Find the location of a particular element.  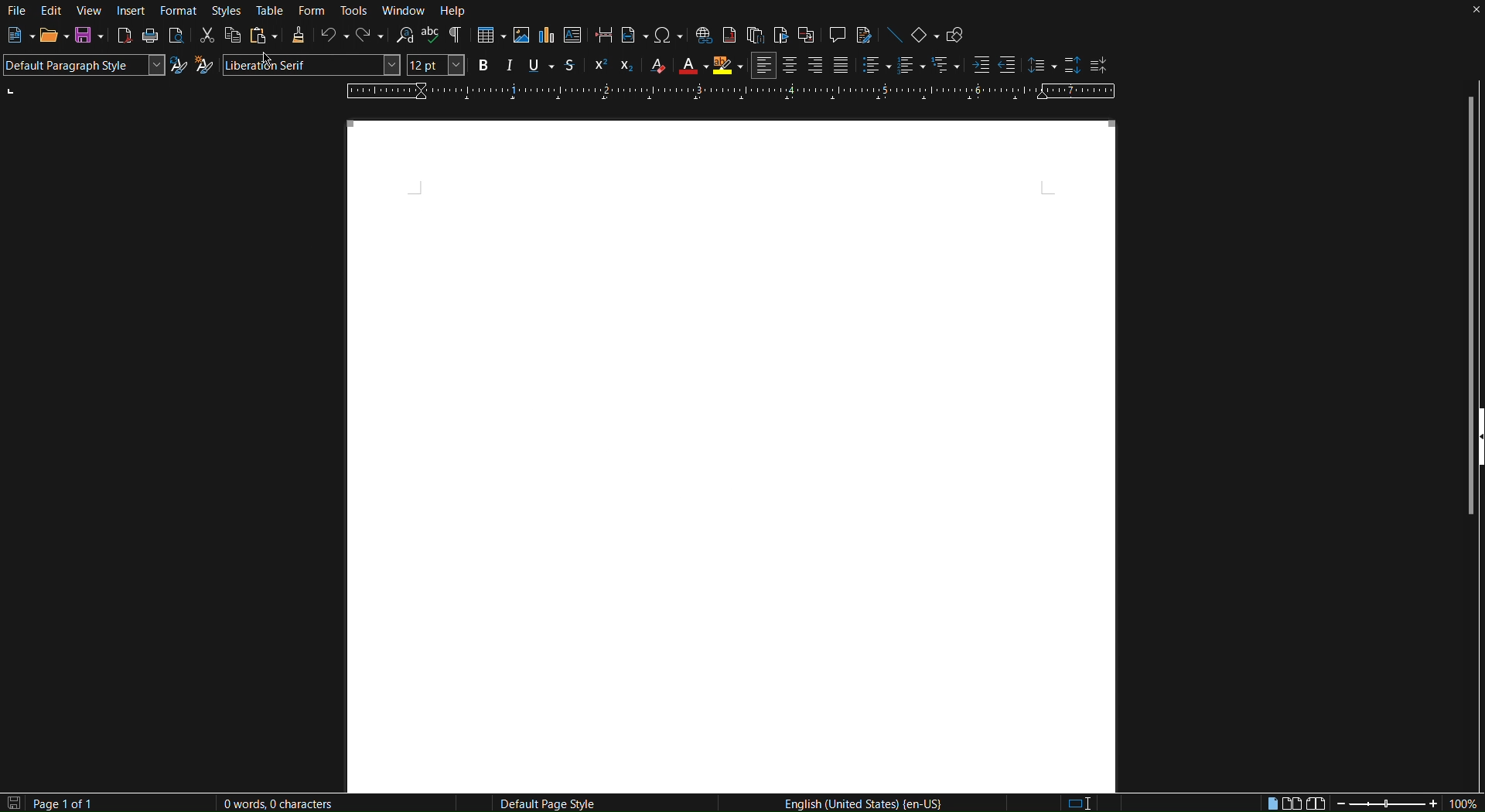

Insert page break is located at coordinates (601, 36).